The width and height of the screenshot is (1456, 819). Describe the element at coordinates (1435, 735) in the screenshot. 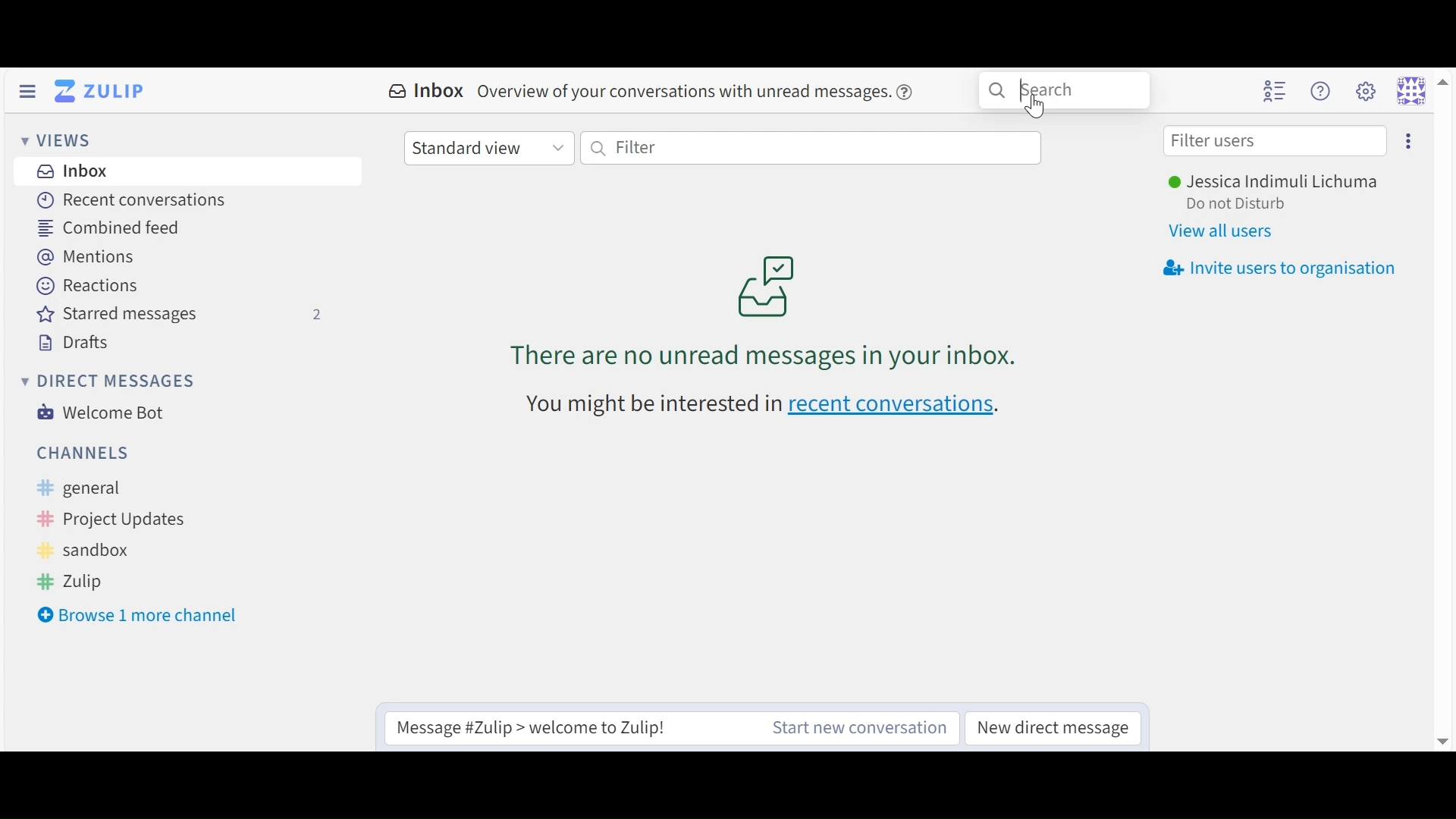

I see `Down` at that location.